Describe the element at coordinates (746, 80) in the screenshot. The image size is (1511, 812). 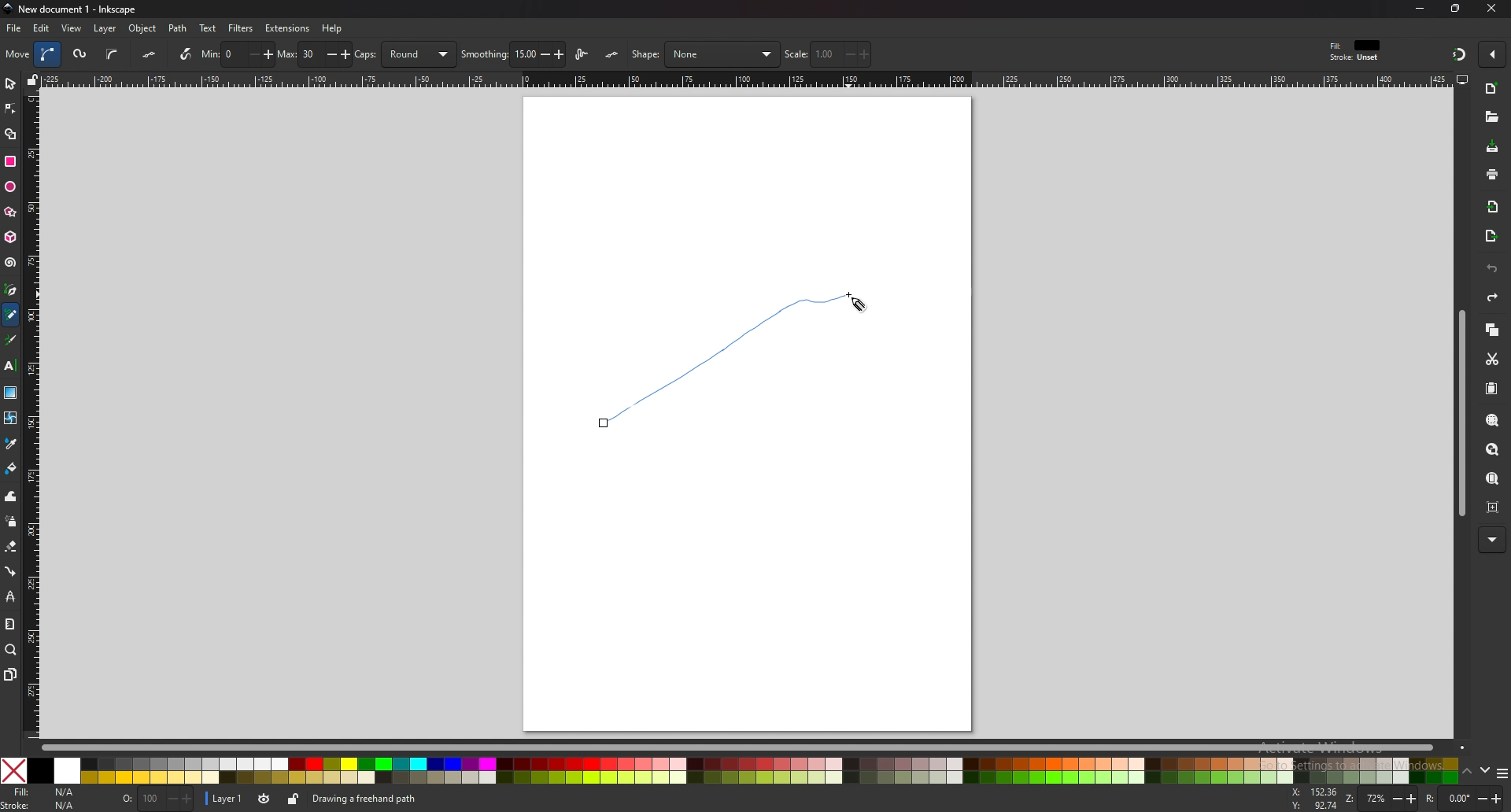
I see `horizontal scale` at that location.